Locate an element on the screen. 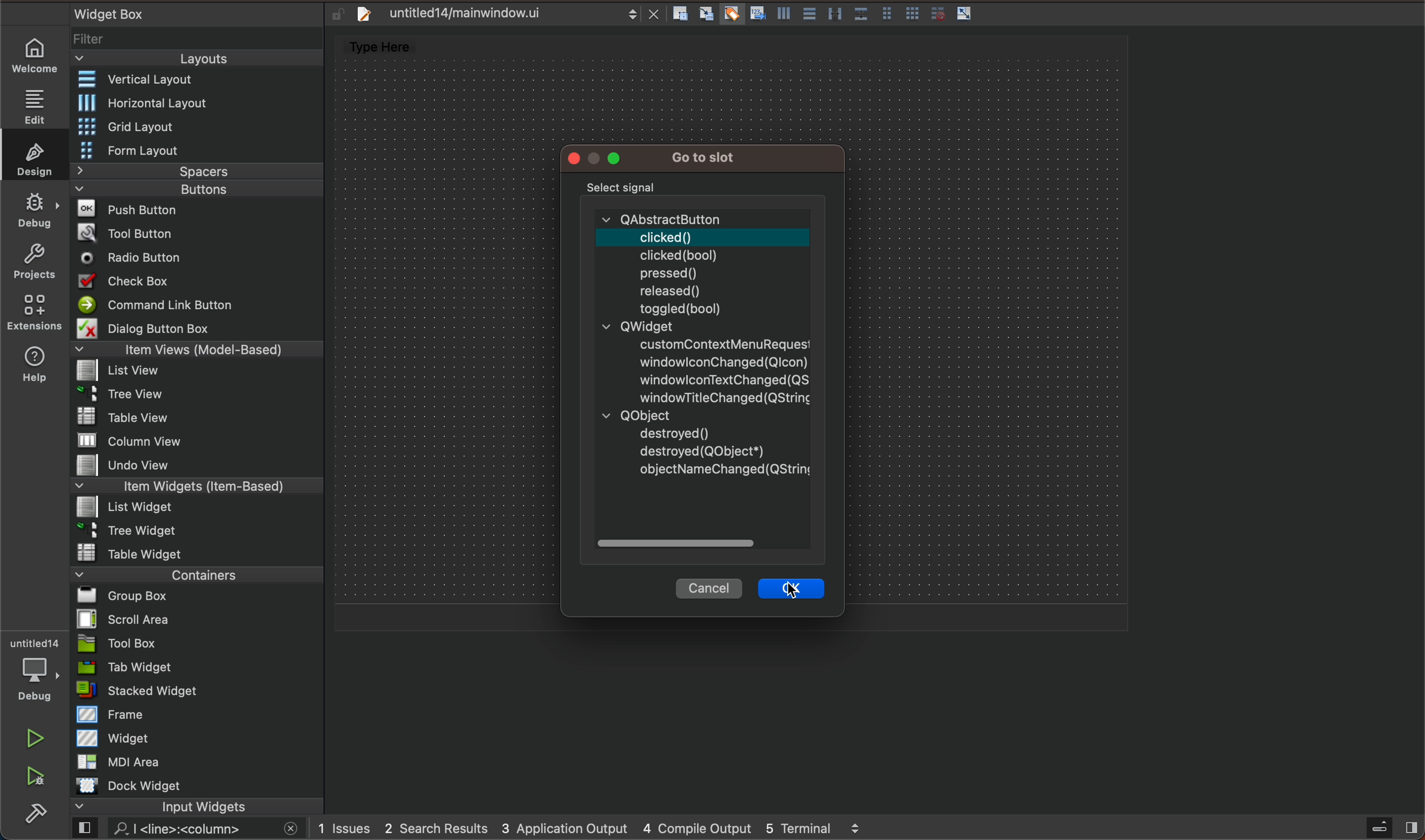  tool button is located at coordinates (203, 233).